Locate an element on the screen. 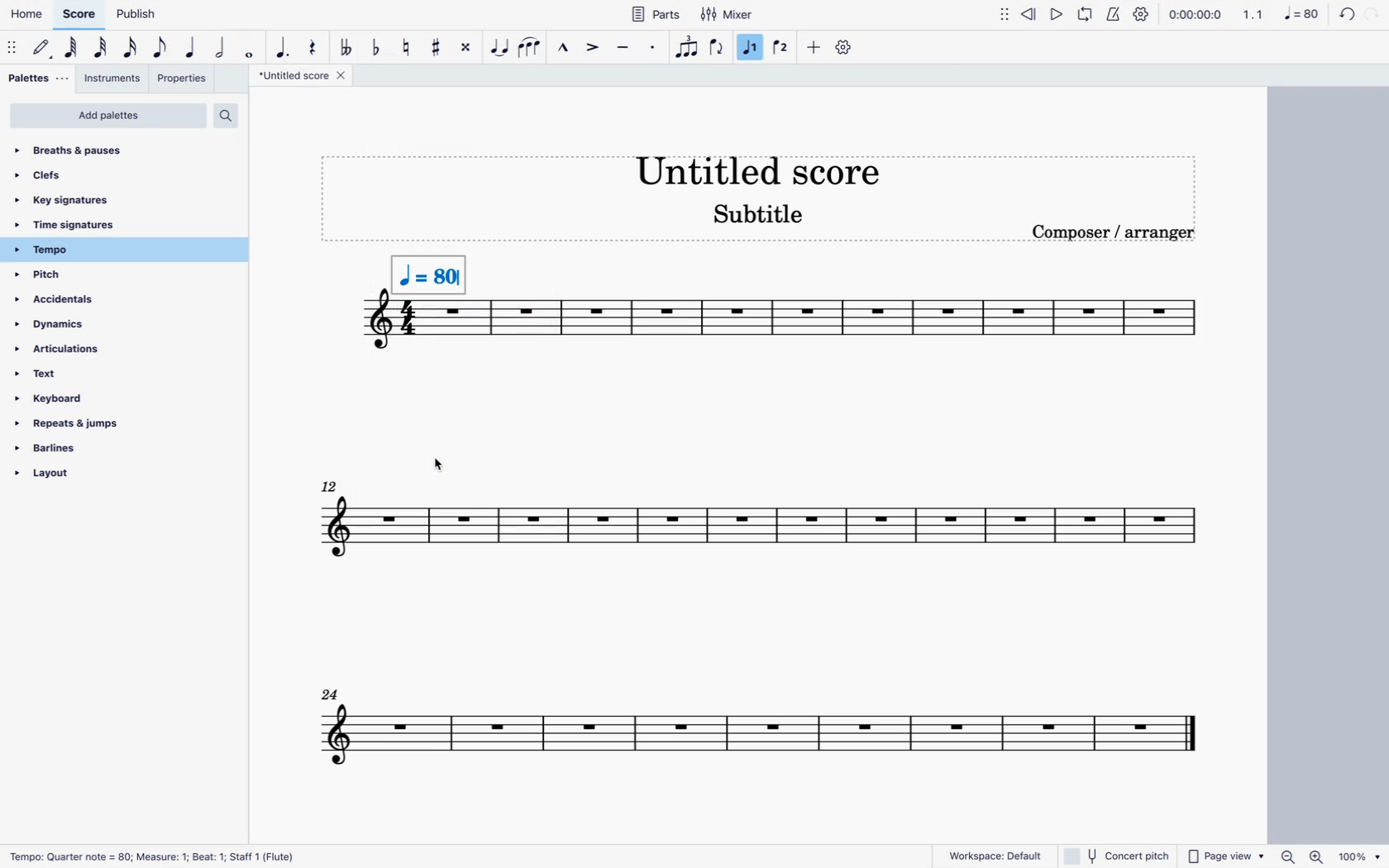 The height and width of the screenshot is (868, 1389). full note is located at coordinates (250, 48).